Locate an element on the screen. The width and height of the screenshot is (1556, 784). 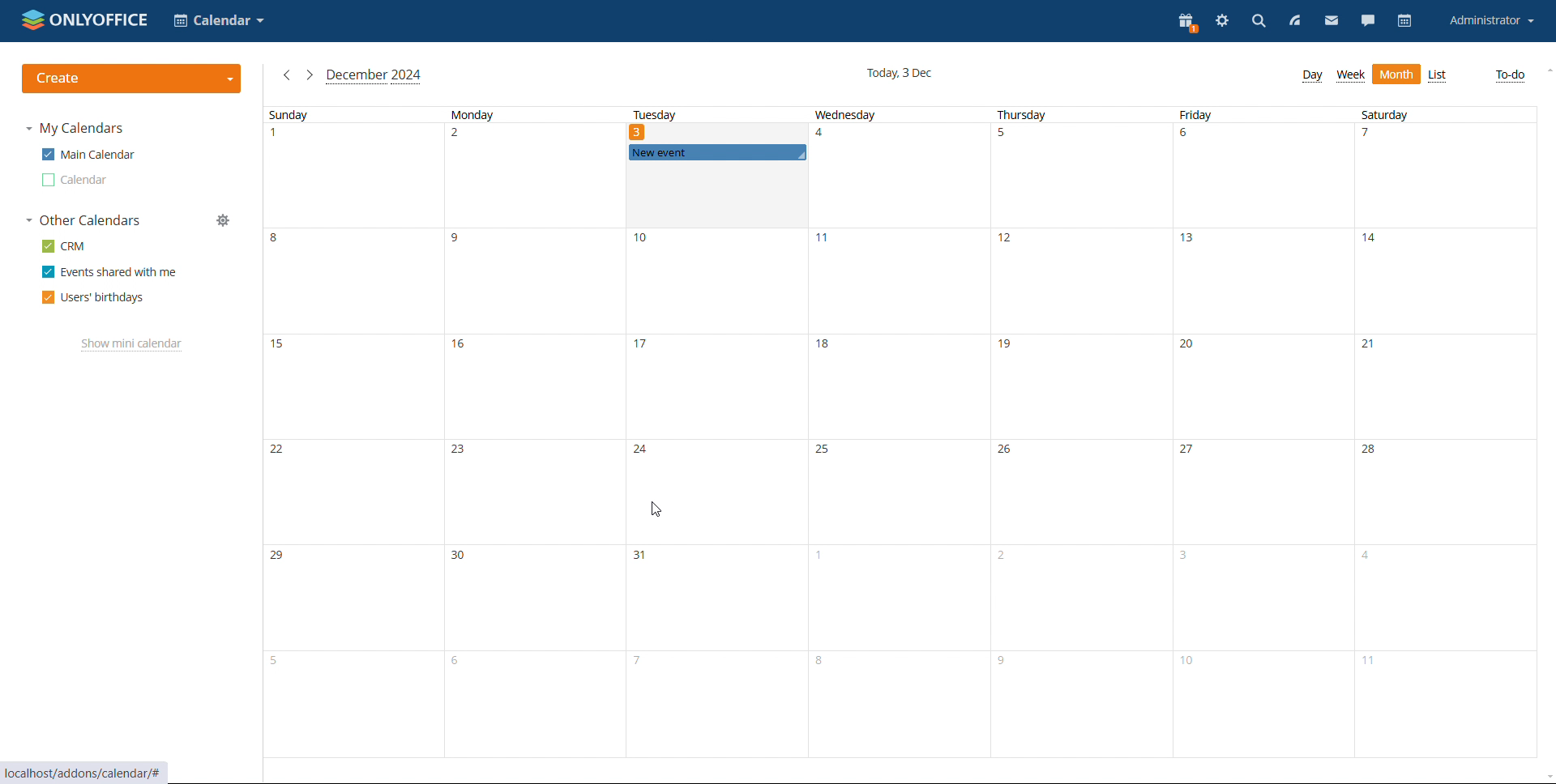
date is located at coordinates (531, 282).